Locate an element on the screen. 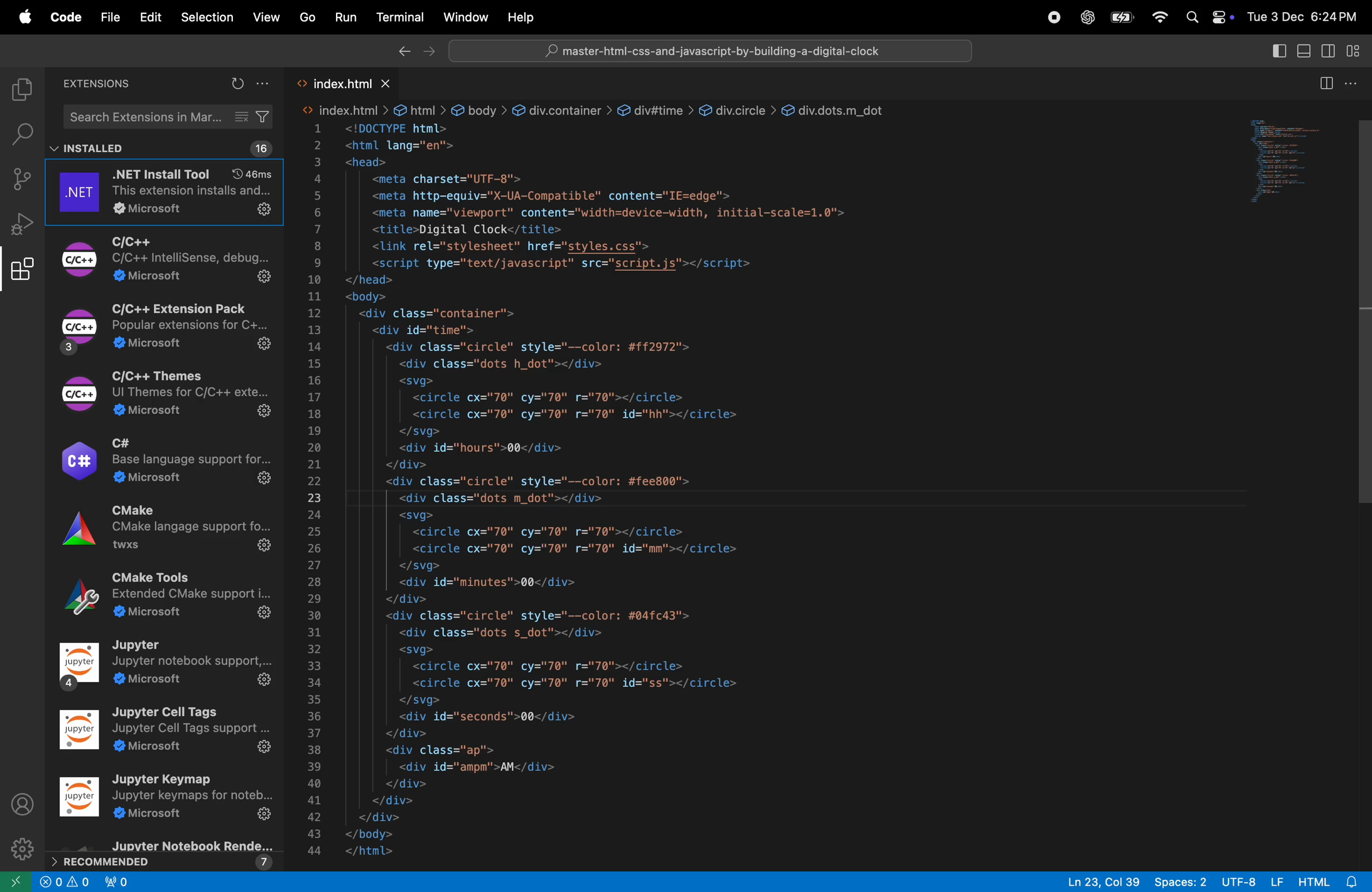 The height and width of the screenshot is (892, 1372). vertical scroll bar is located at coordinates (1358, 319).